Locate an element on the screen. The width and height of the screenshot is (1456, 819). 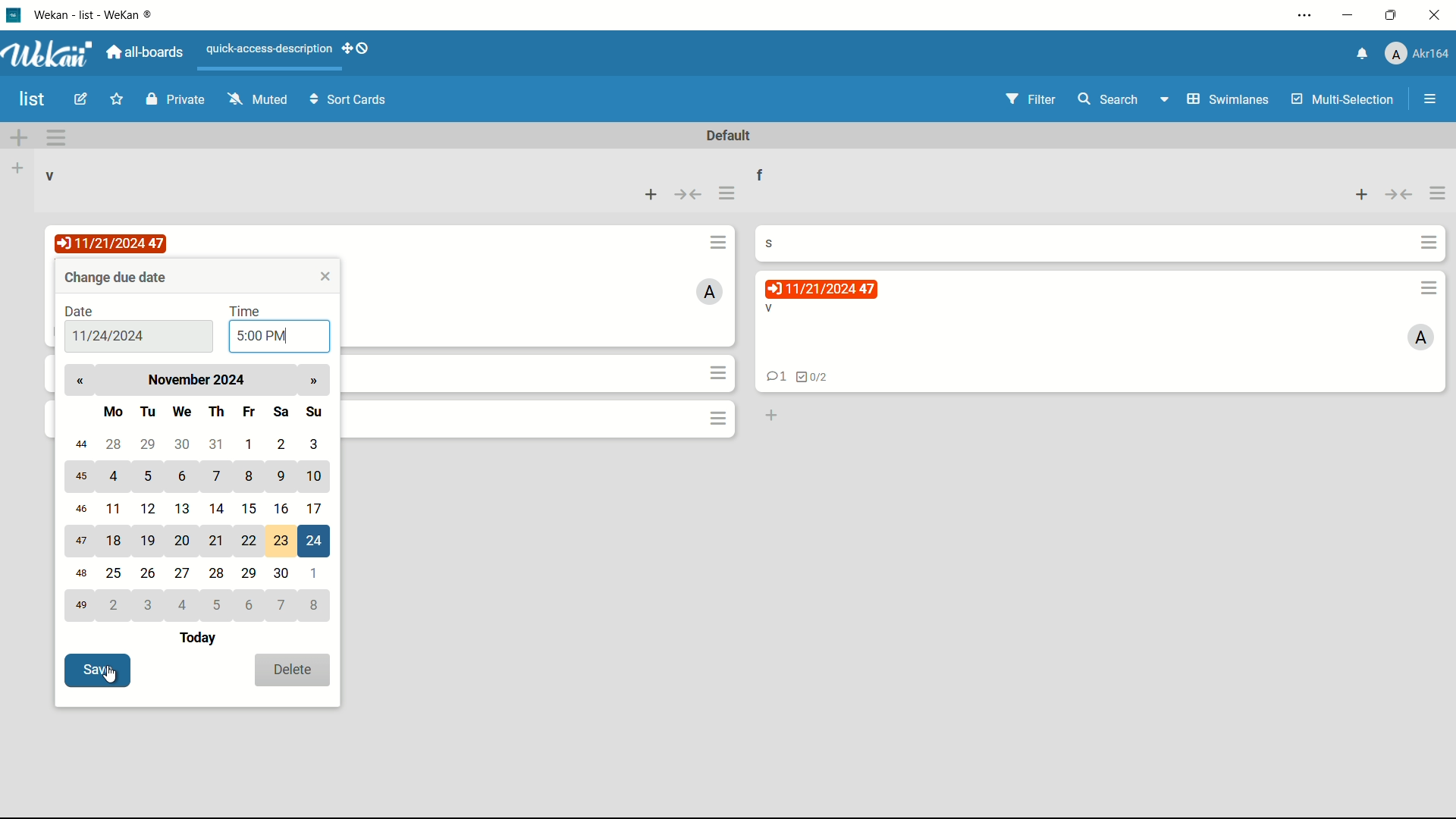
profile is located at coordinates (1419, 54).